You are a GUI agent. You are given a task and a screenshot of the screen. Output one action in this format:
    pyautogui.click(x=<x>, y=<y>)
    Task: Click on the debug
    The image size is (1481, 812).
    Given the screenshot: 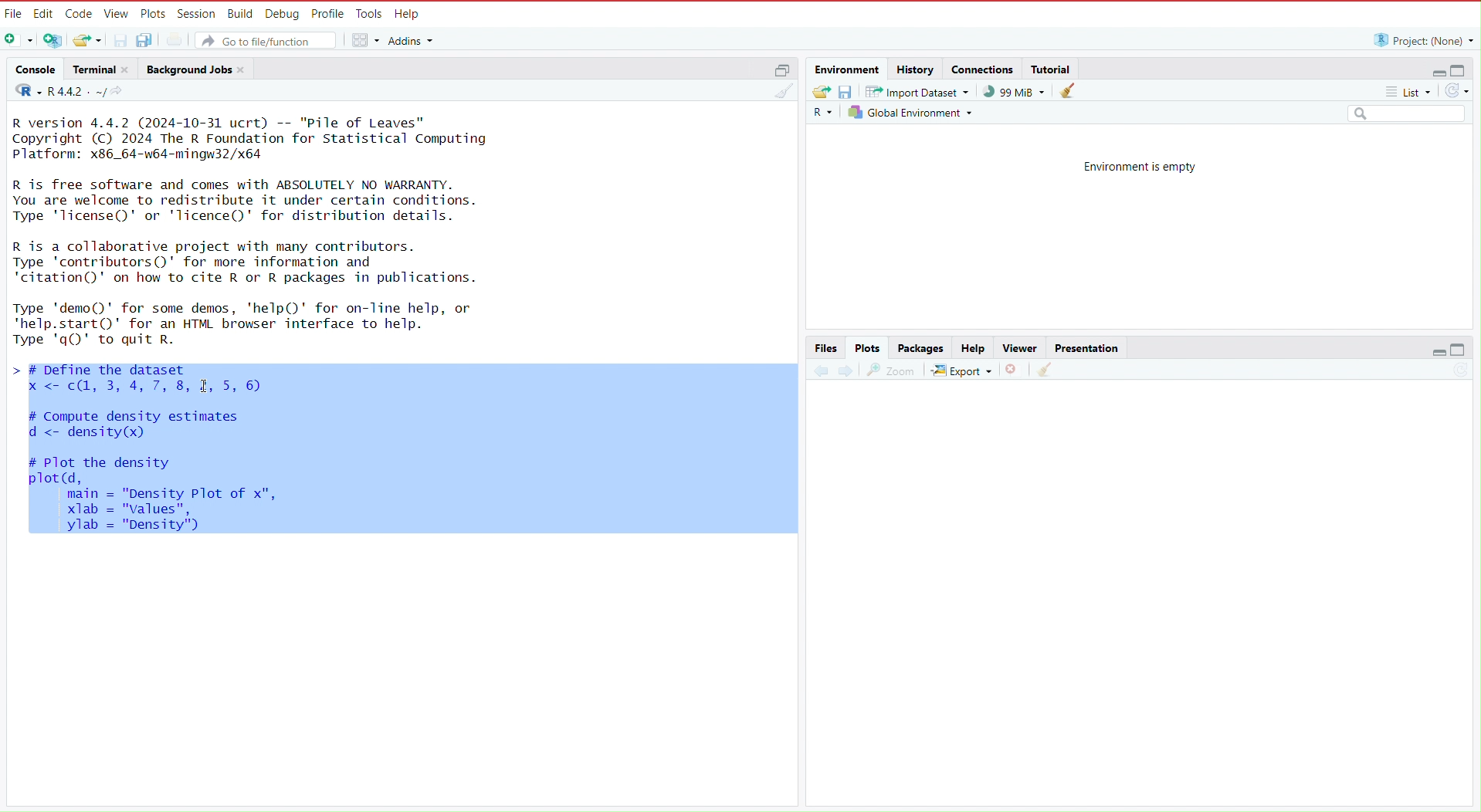 What is the action you would take?
    pyautogui.click(x=281, y=12)
    